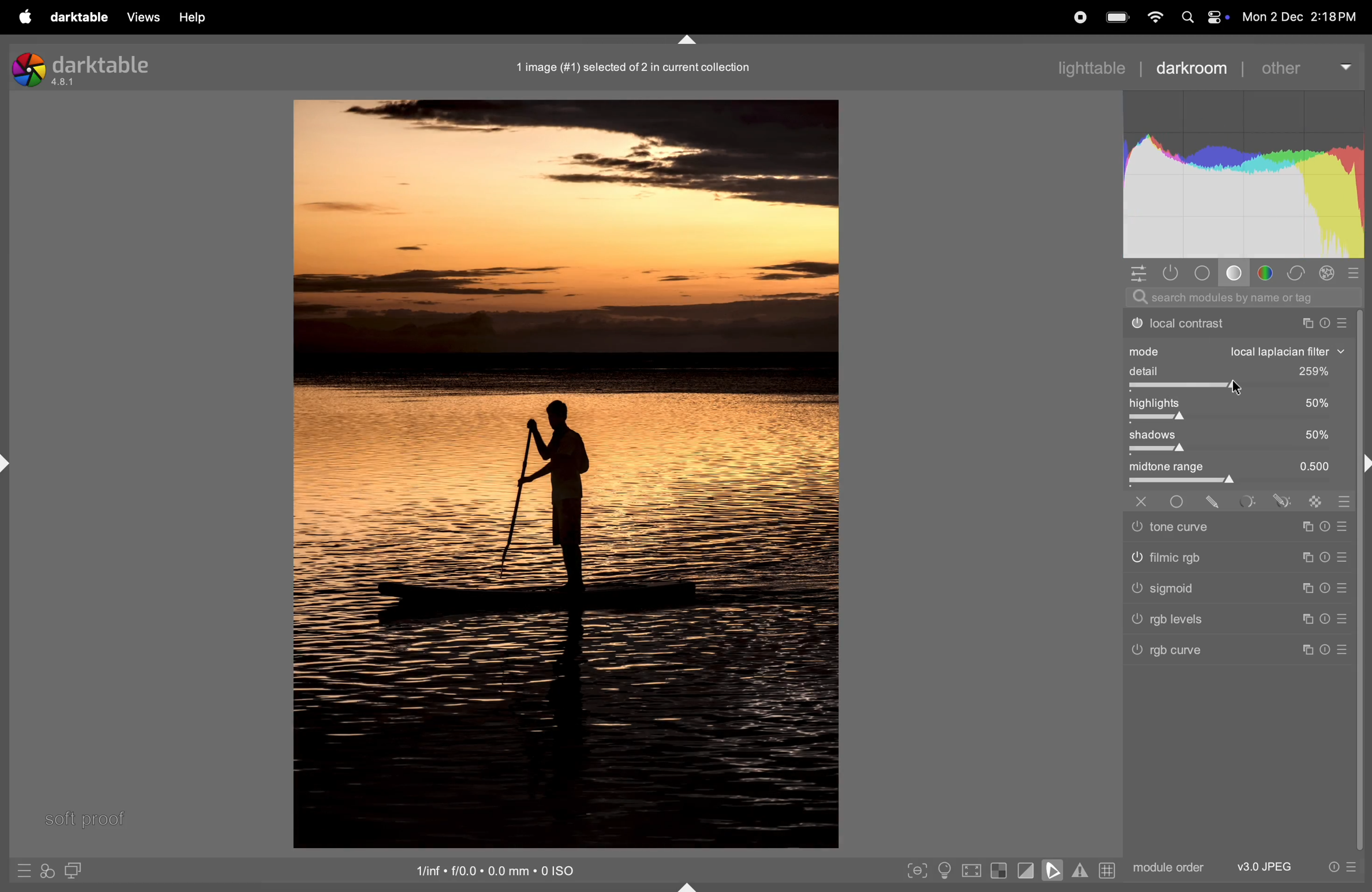 This screenshot has width=1372, height=892. Describe the element at coordinates (24, 16) in the screenshot. I see `apple menu` at that location.